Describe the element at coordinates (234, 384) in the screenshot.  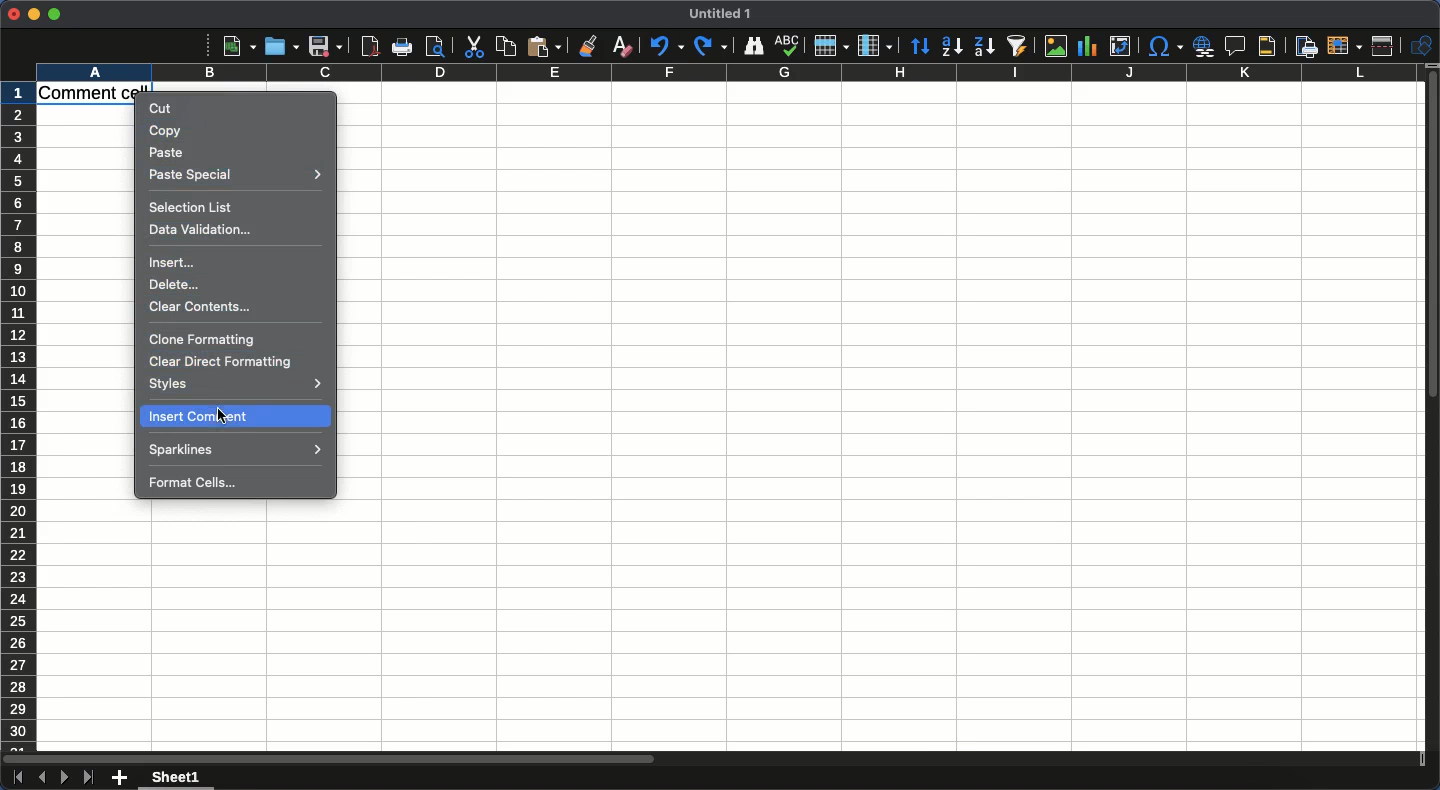
I see `Styles` at that location.